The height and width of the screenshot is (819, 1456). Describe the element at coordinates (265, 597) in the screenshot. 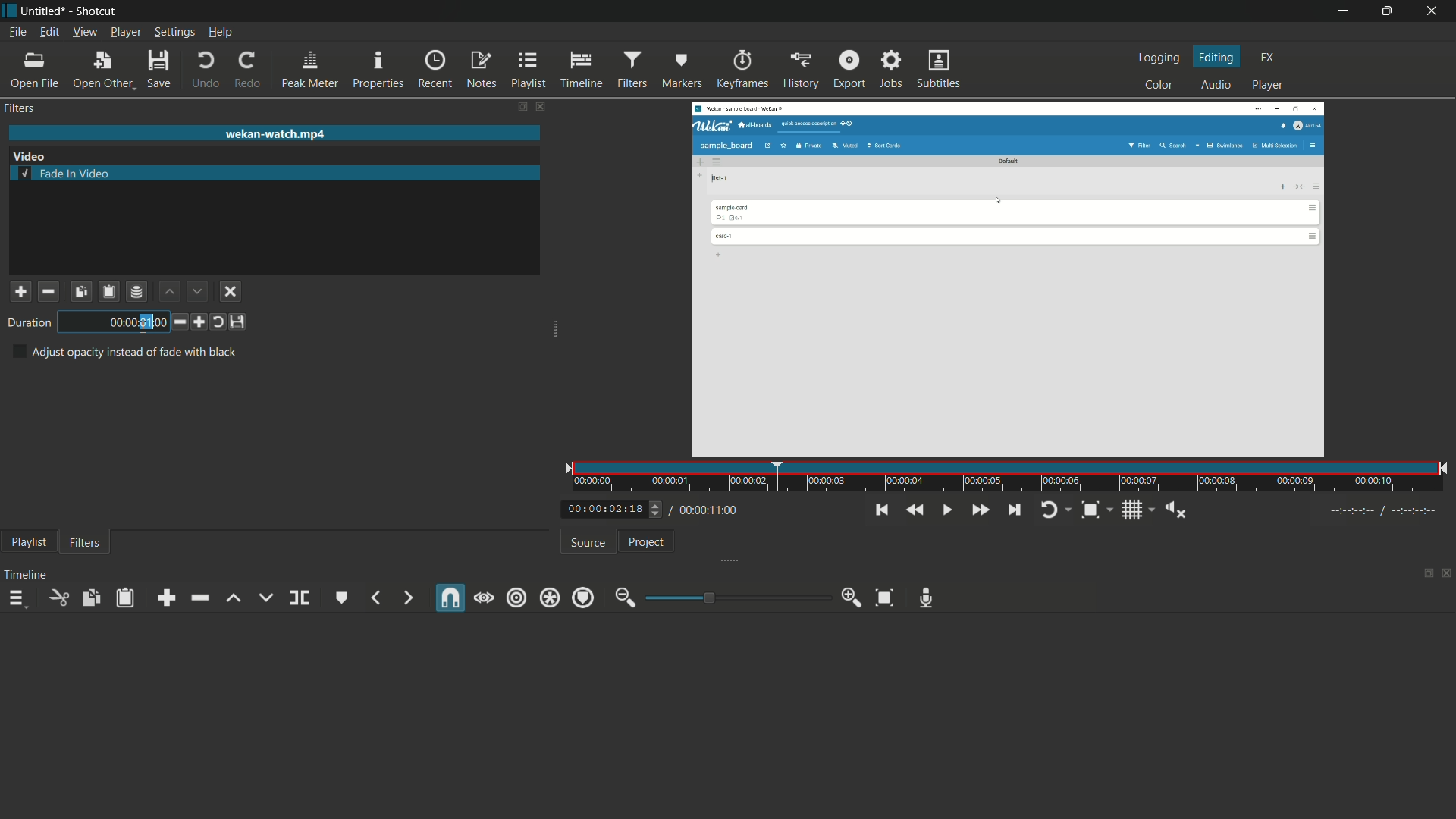

I see `overwrite` at that location.